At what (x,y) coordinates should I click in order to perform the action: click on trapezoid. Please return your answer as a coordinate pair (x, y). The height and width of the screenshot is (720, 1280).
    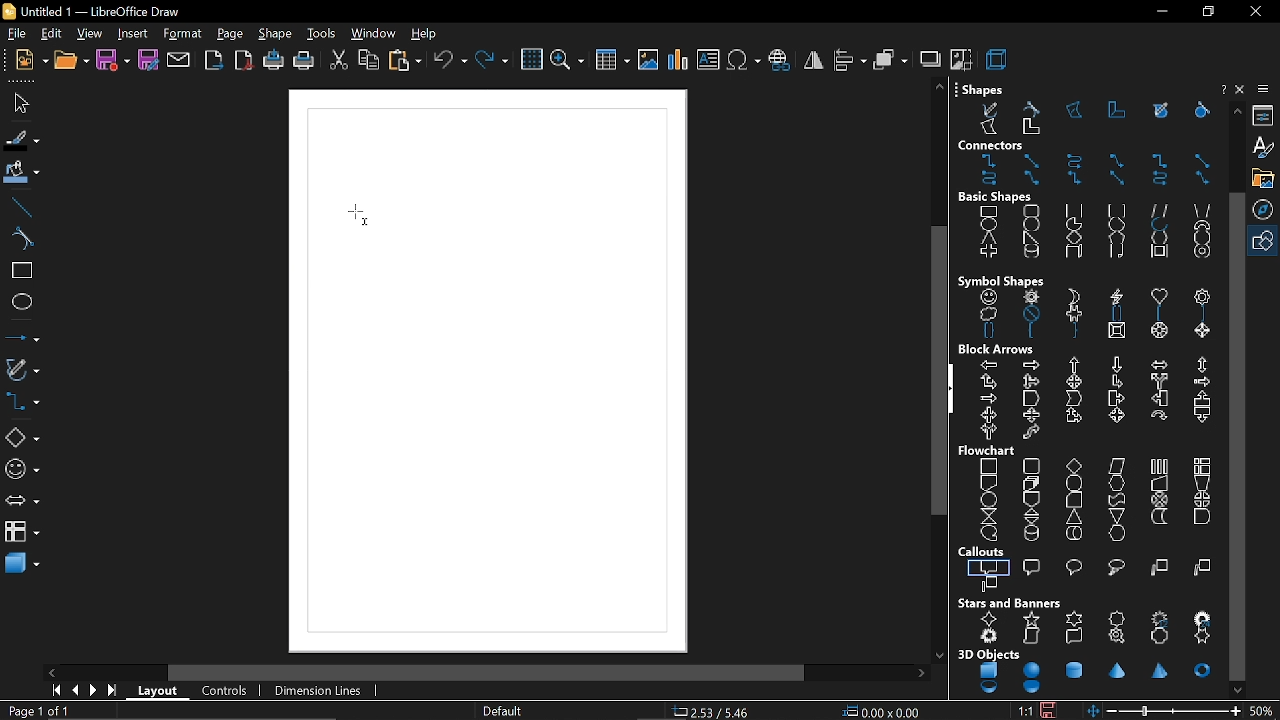
    Looking at the image, I should click on (1203, 208).